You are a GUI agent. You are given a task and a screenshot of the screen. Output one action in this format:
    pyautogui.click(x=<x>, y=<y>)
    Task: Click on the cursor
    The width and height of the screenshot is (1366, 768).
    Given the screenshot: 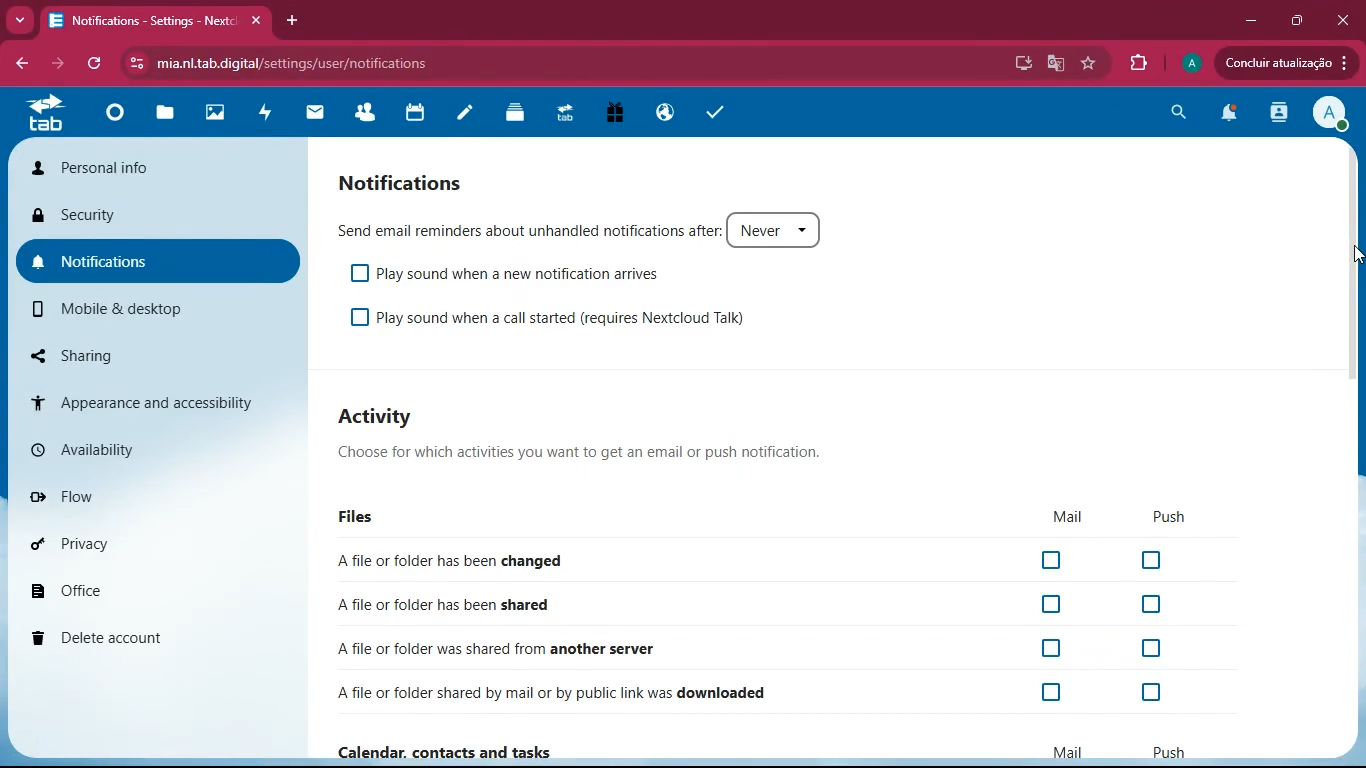 What is the action you would take?
    pyautogui.click(x=1357, y=257)
    